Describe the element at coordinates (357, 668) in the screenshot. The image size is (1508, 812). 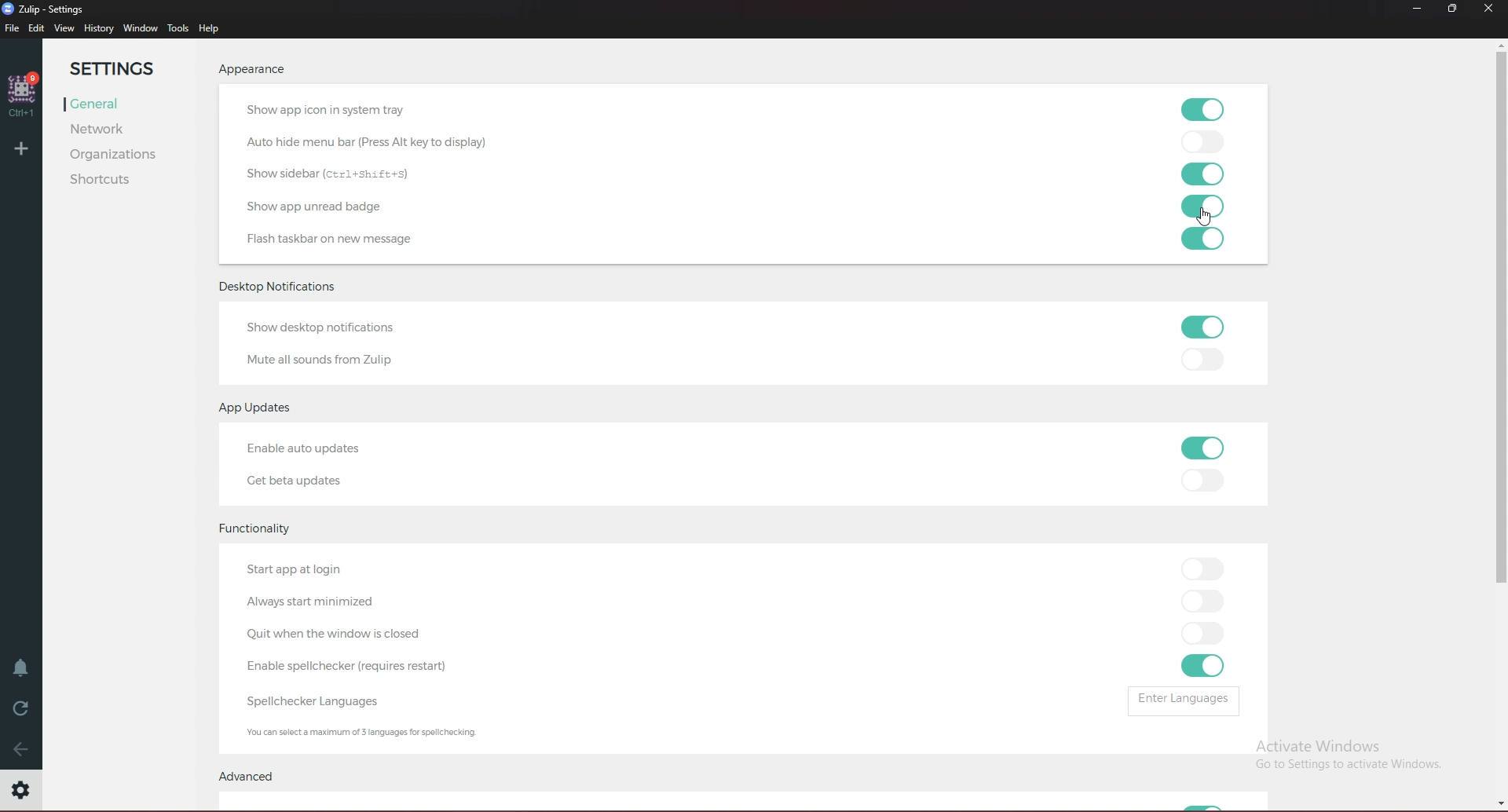
I see `enable Spell Checker` at that location.